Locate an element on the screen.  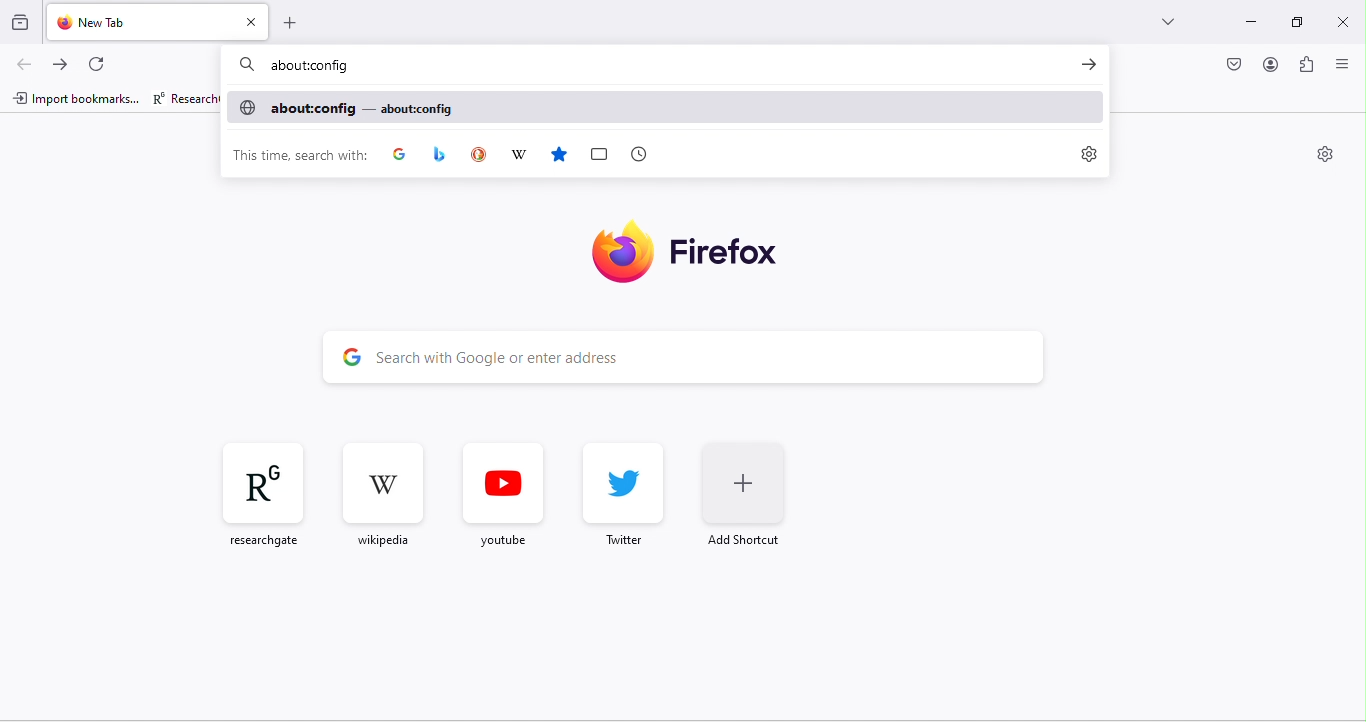
wikipedia is located at coordinates (385, 491).